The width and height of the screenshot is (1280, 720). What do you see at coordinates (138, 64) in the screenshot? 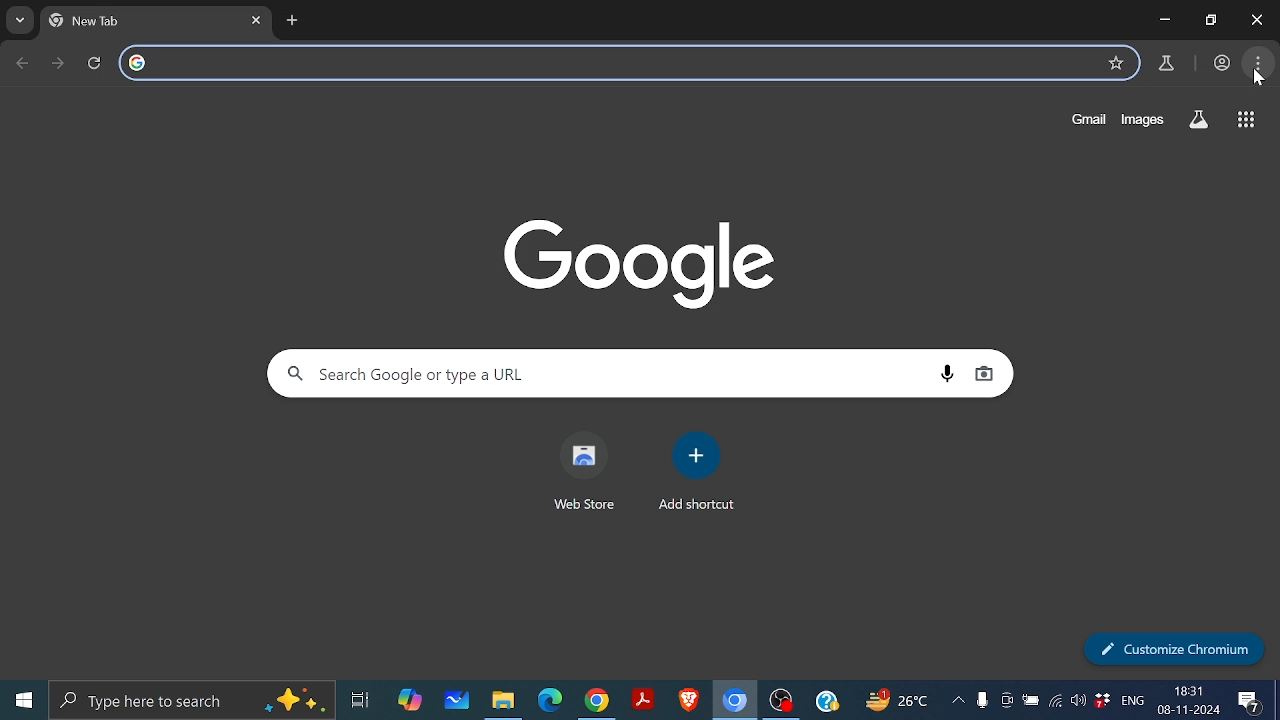
I see `google logo` at bounding box center [138, 64].